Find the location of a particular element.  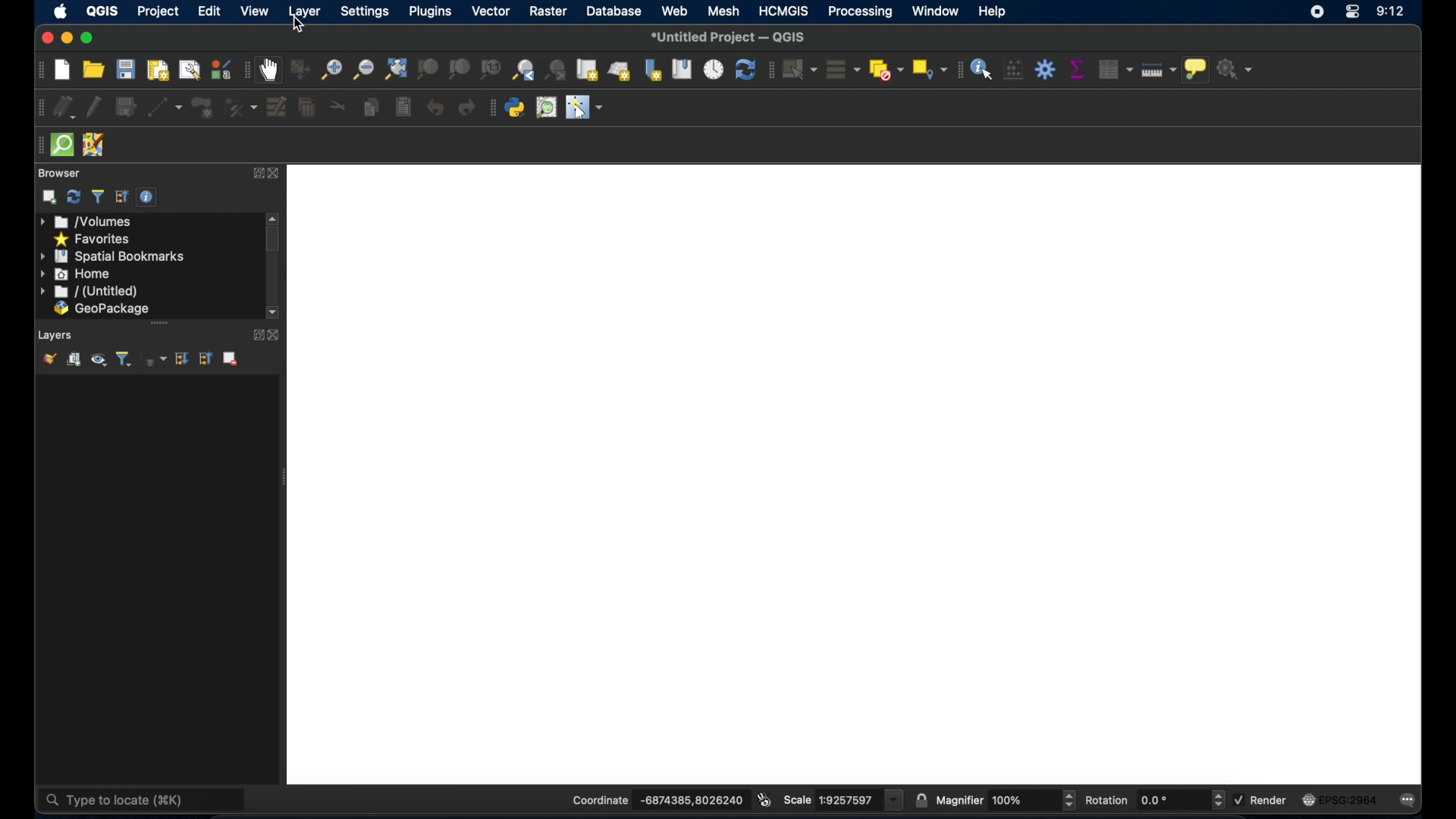

save edits is located at coordinates (126, 107).